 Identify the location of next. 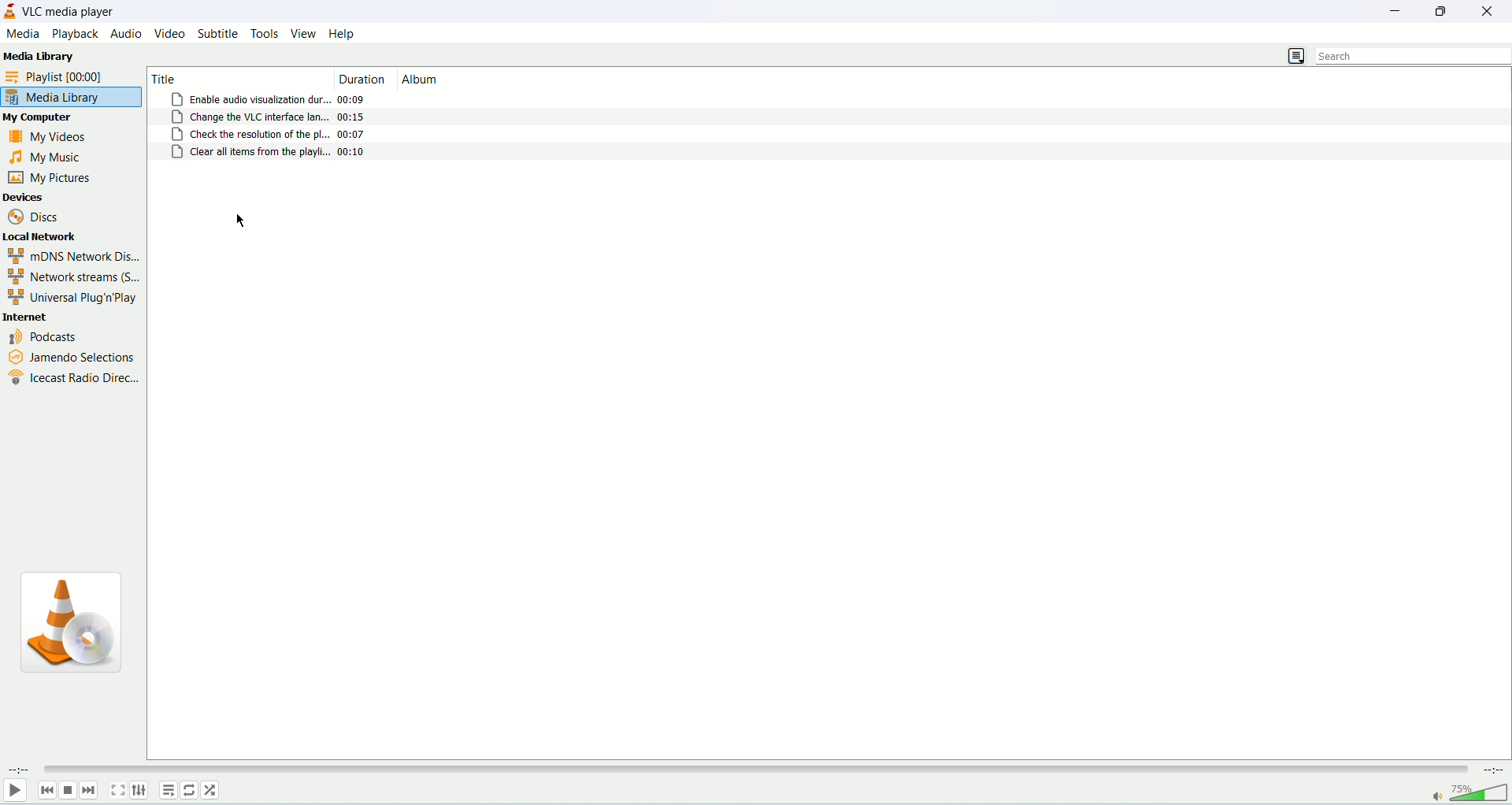
(91, 791).